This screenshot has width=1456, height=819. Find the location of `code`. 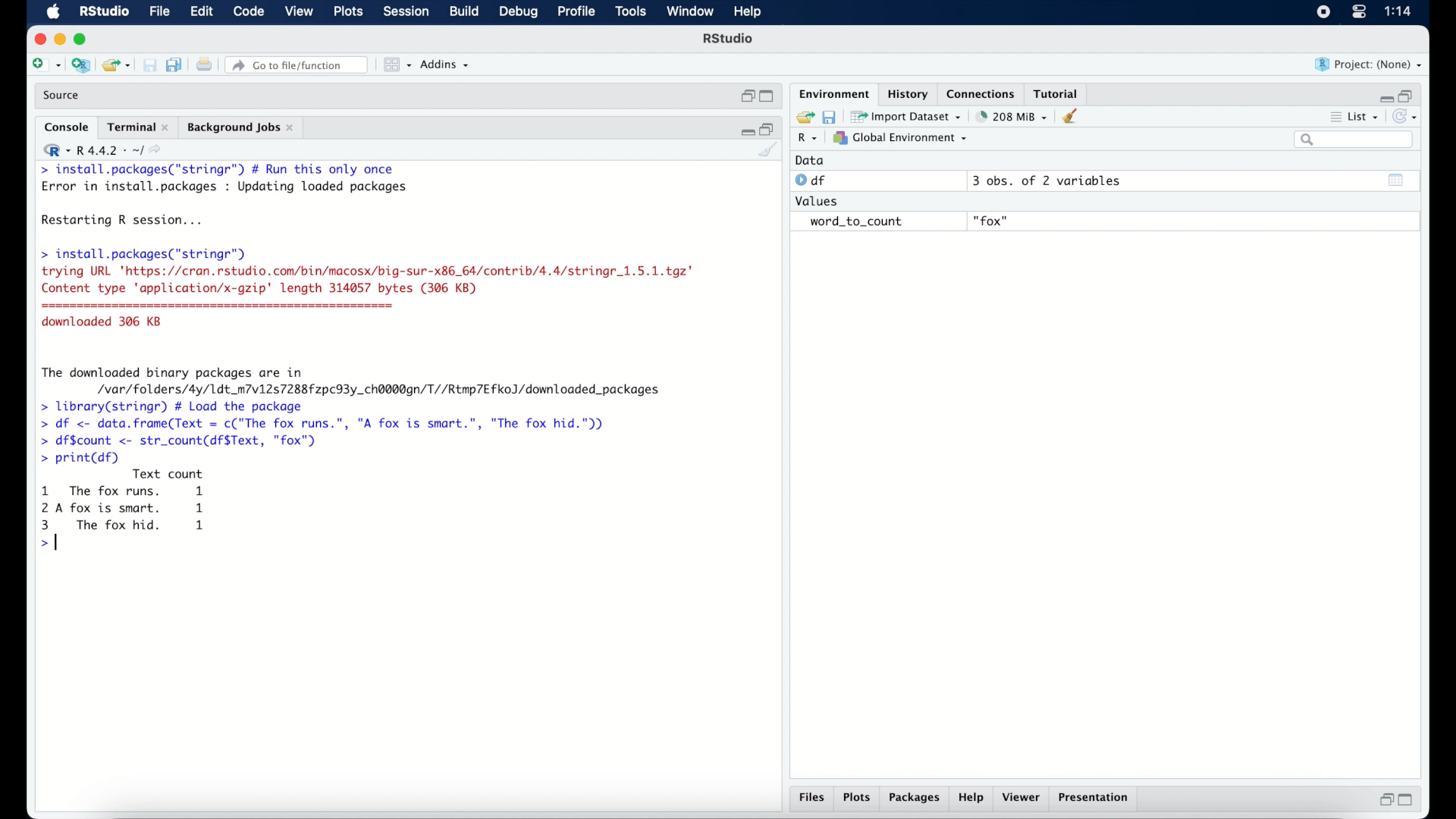

code is located at coordinates (249, 12).